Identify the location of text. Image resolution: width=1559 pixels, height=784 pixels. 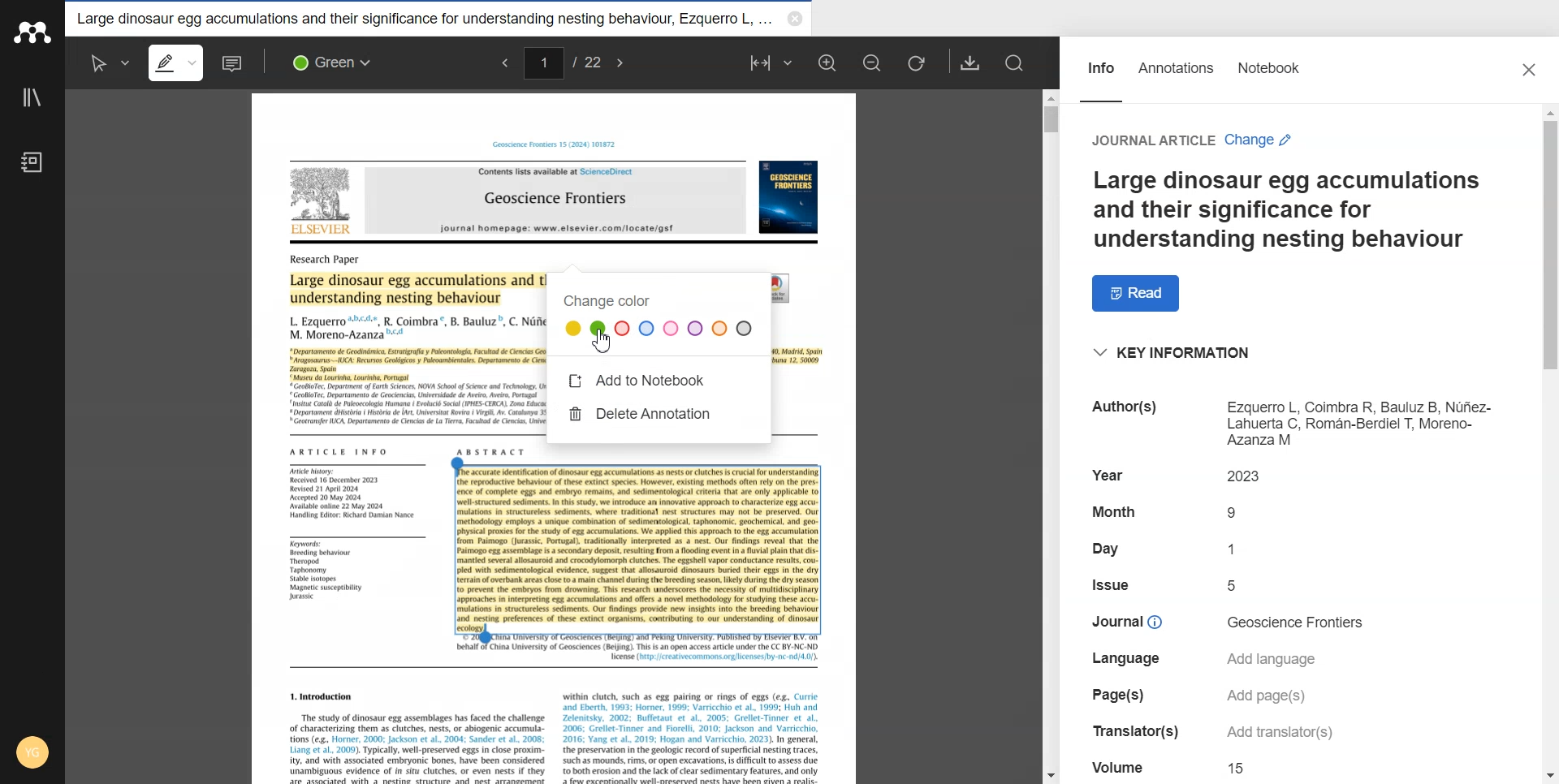
(1237, 513).